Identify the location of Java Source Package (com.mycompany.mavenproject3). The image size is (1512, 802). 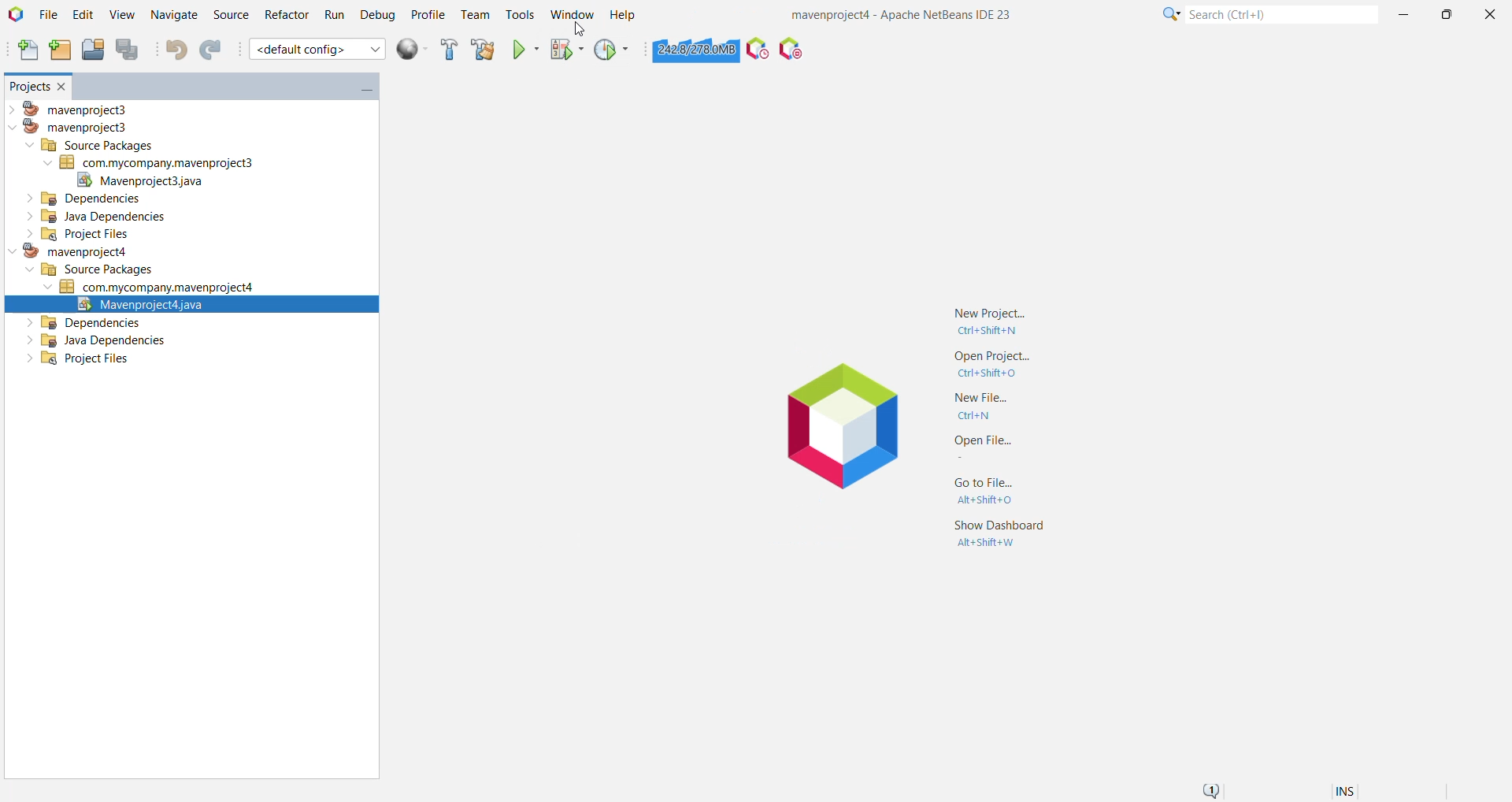
(162, 162).